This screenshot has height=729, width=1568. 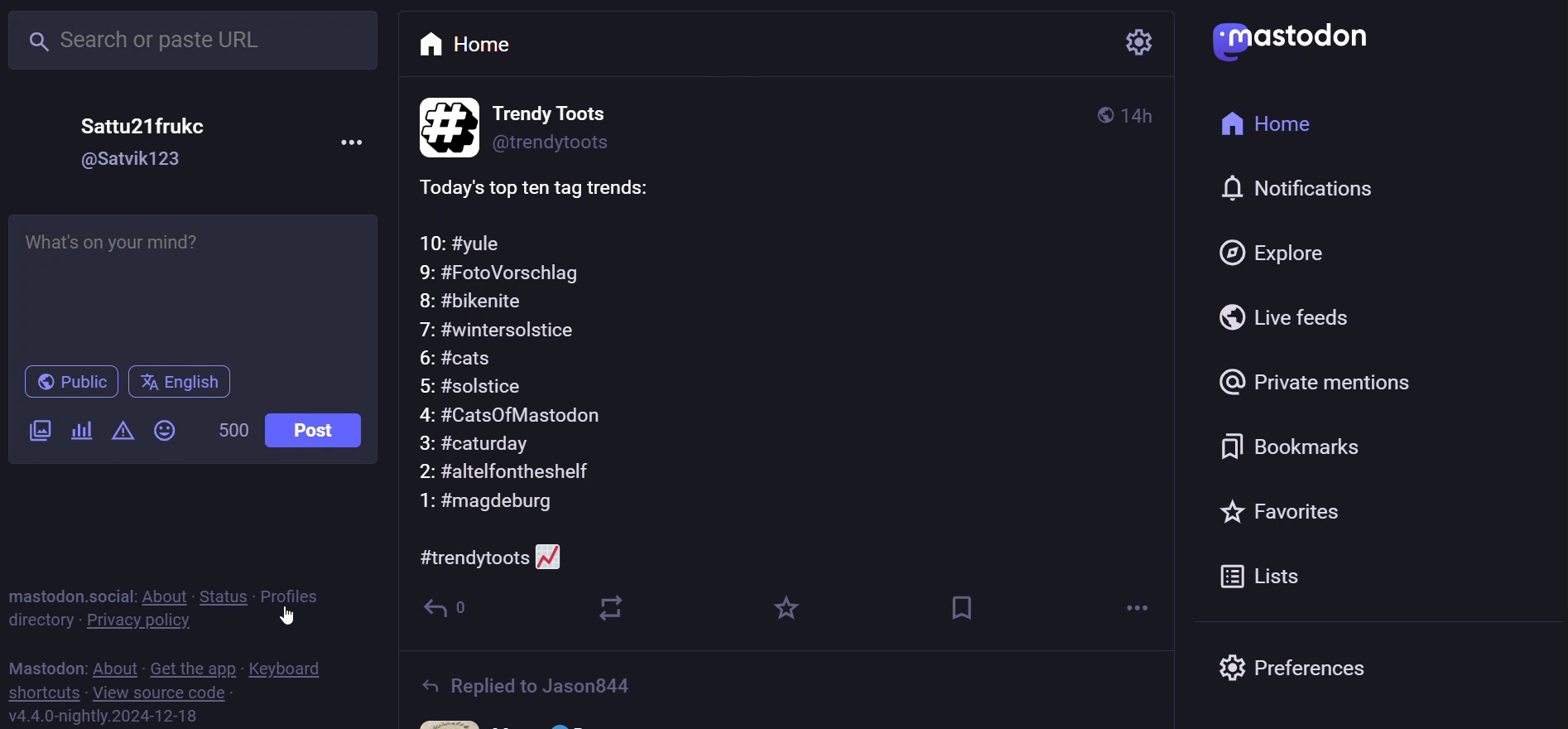 I want to click on setting, so click(x=1135, y=44).